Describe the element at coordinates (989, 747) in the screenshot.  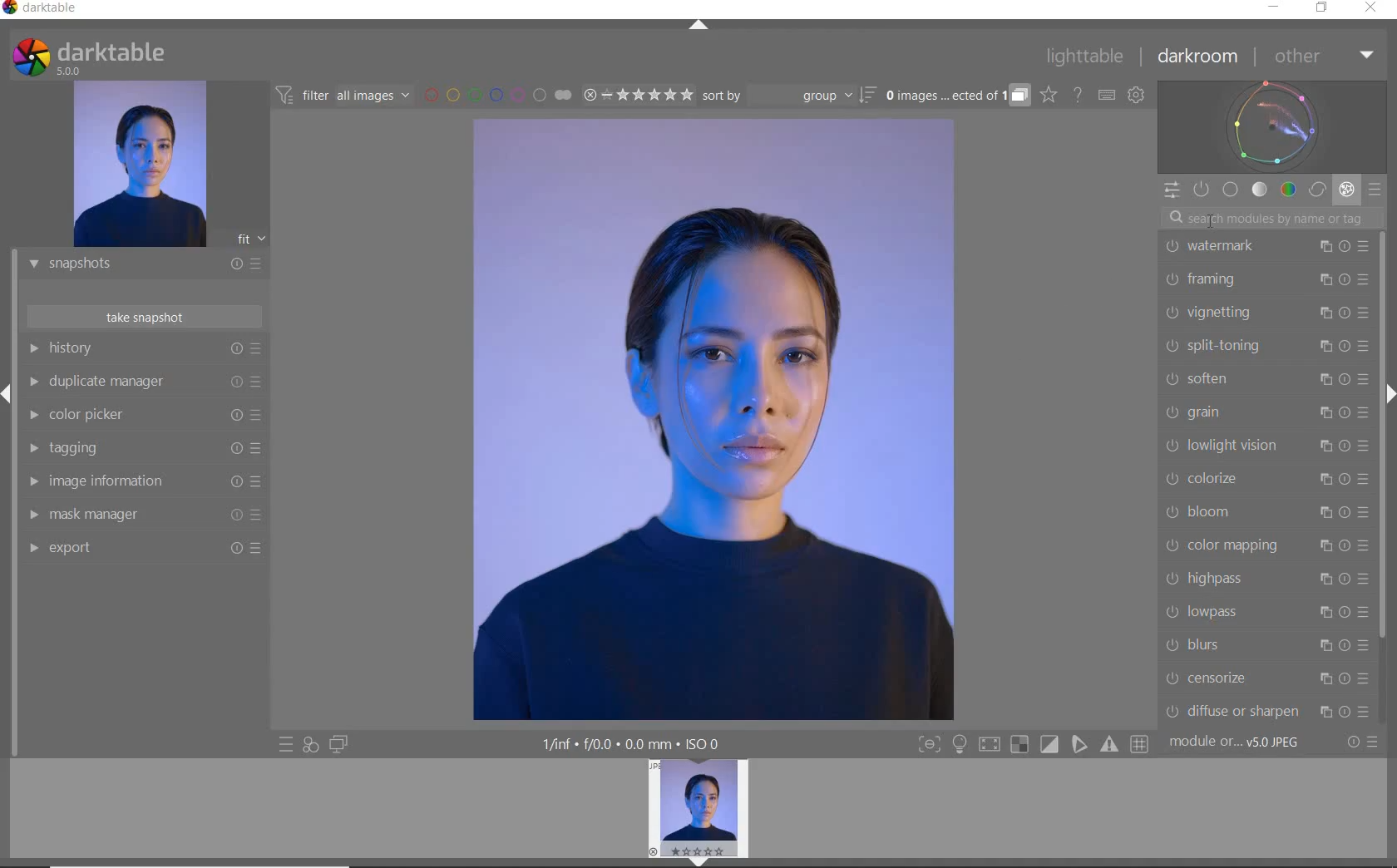
I see `Button` at that location.